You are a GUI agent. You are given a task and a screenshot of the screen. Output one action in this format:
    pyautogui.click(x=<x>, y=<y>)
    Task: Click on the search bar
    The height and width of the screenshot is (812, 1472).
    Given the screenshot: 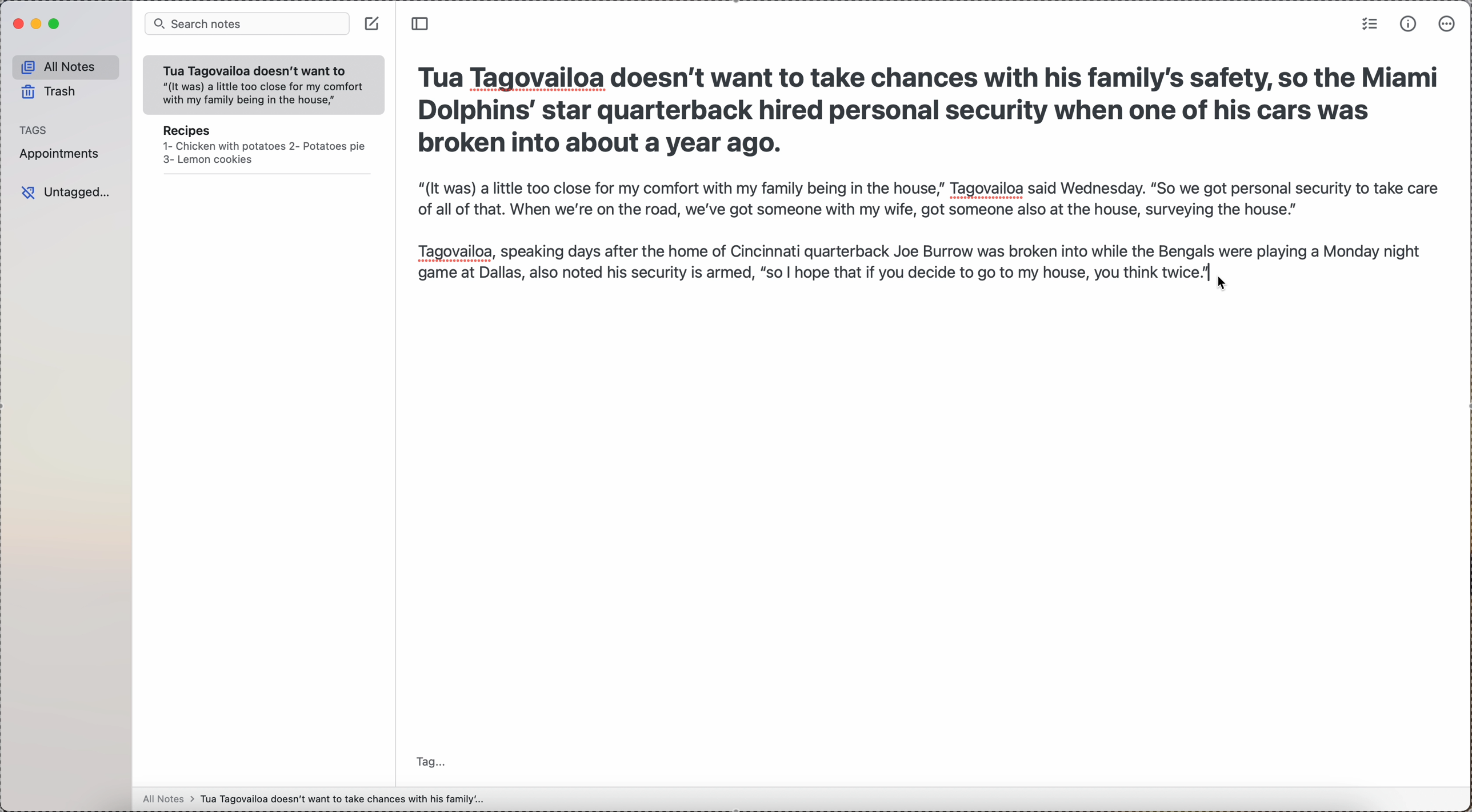 What is the action you would take?
    pyautogui.click(x=247, y=23)
    